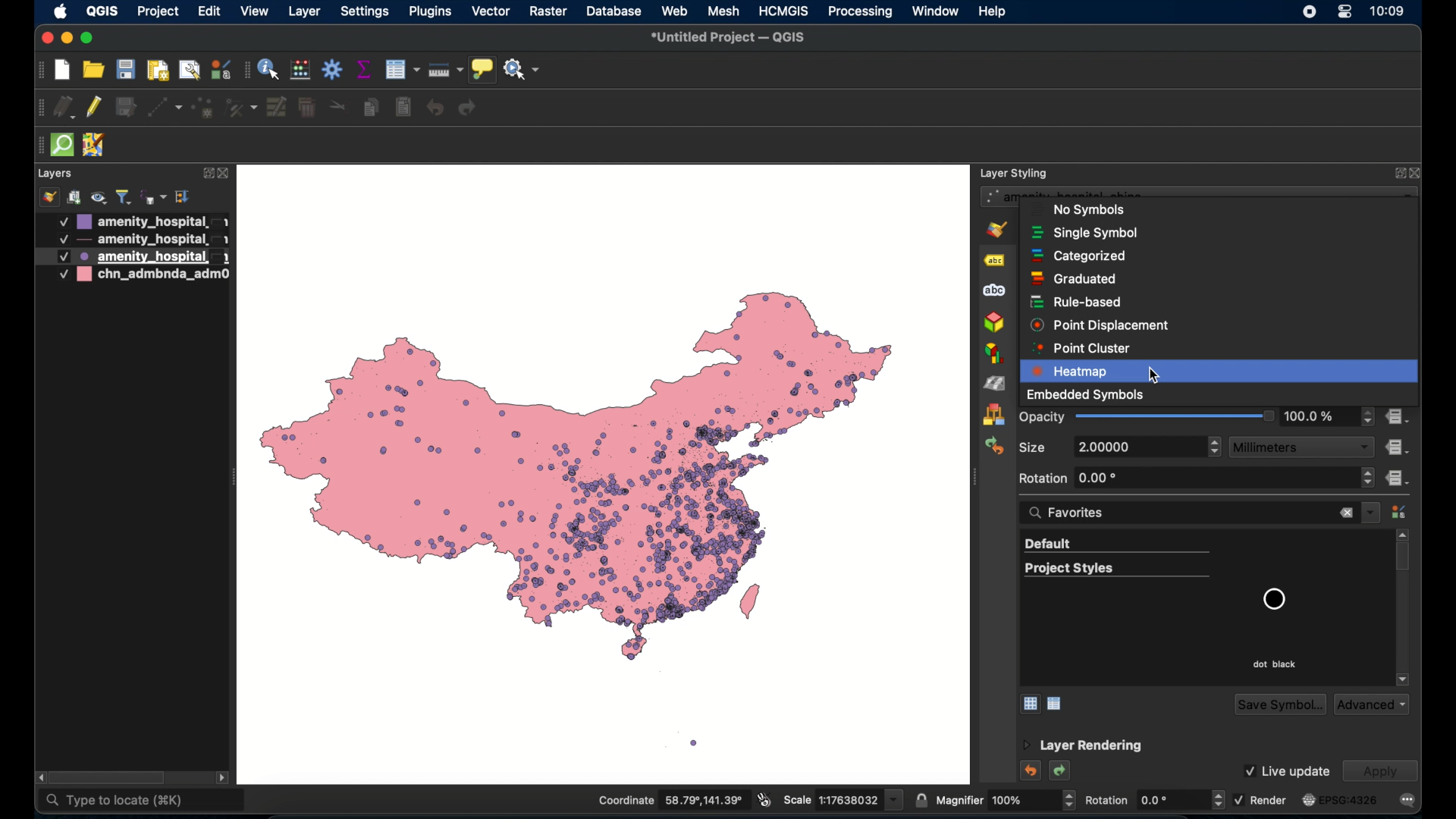  Describe the element at coordinates (224, 778) in the screenshot. I see `scroll right arrow` at that location.